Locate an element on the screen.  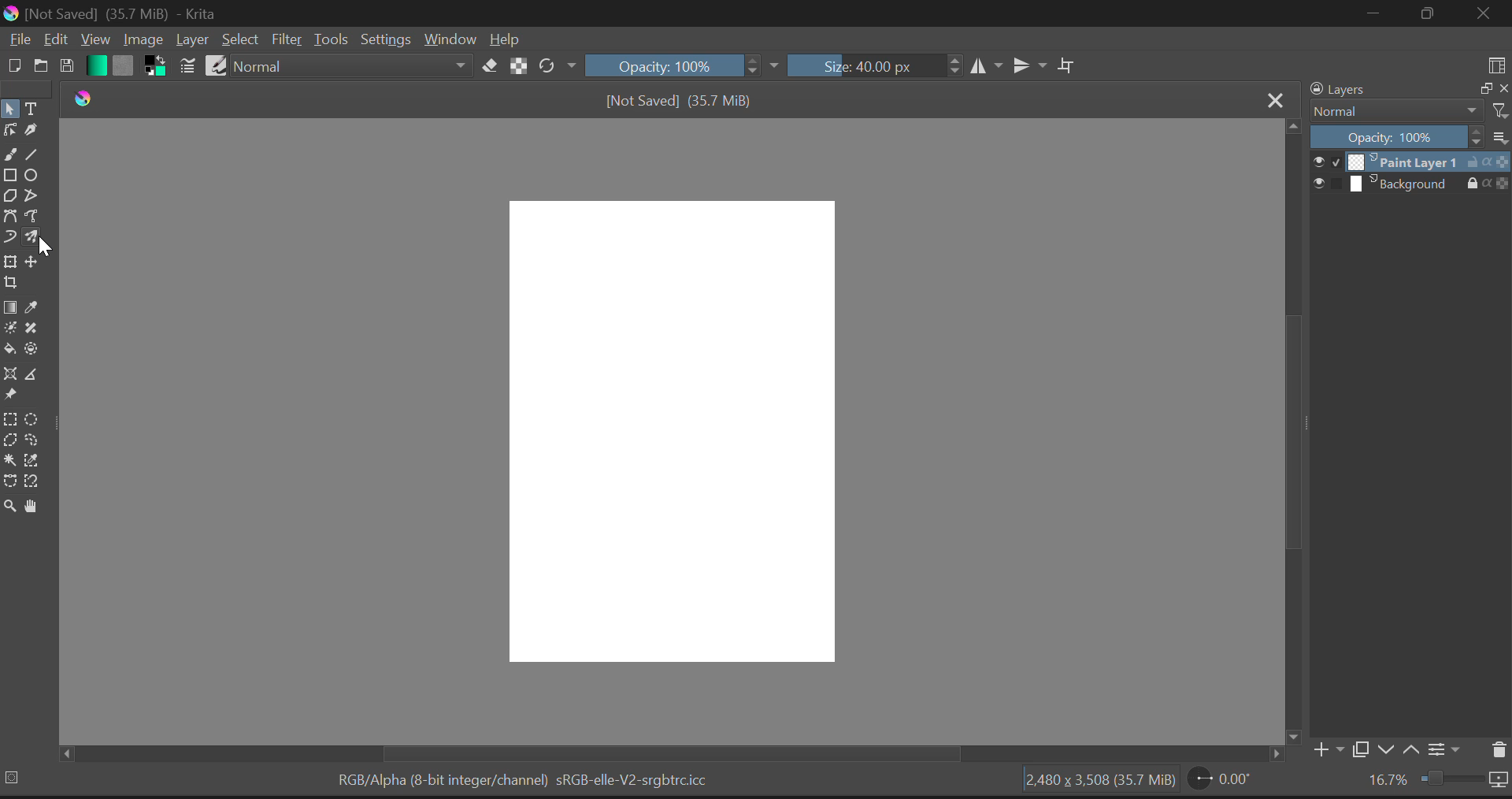
Reference Images is located at coordinates (9, 396).